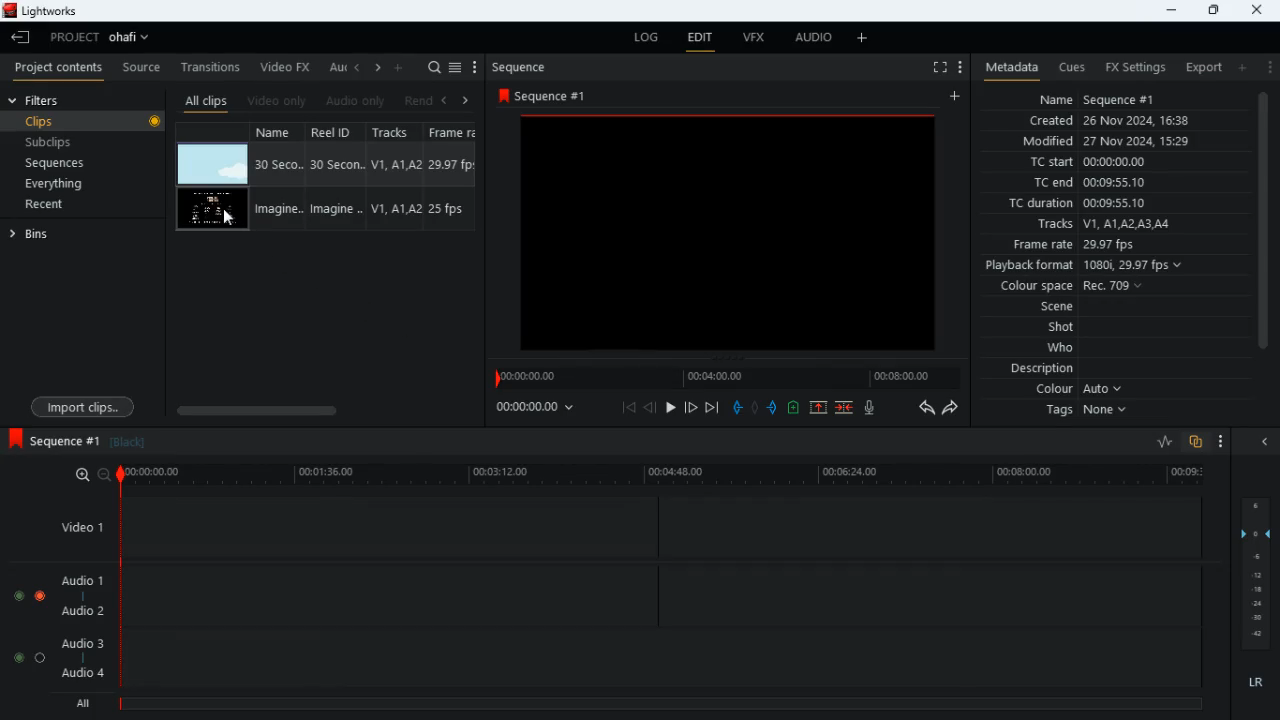  What do you see at coordinates (668, 476) in the screenshot?
I see `timeline` at bounding box center [668, 476].